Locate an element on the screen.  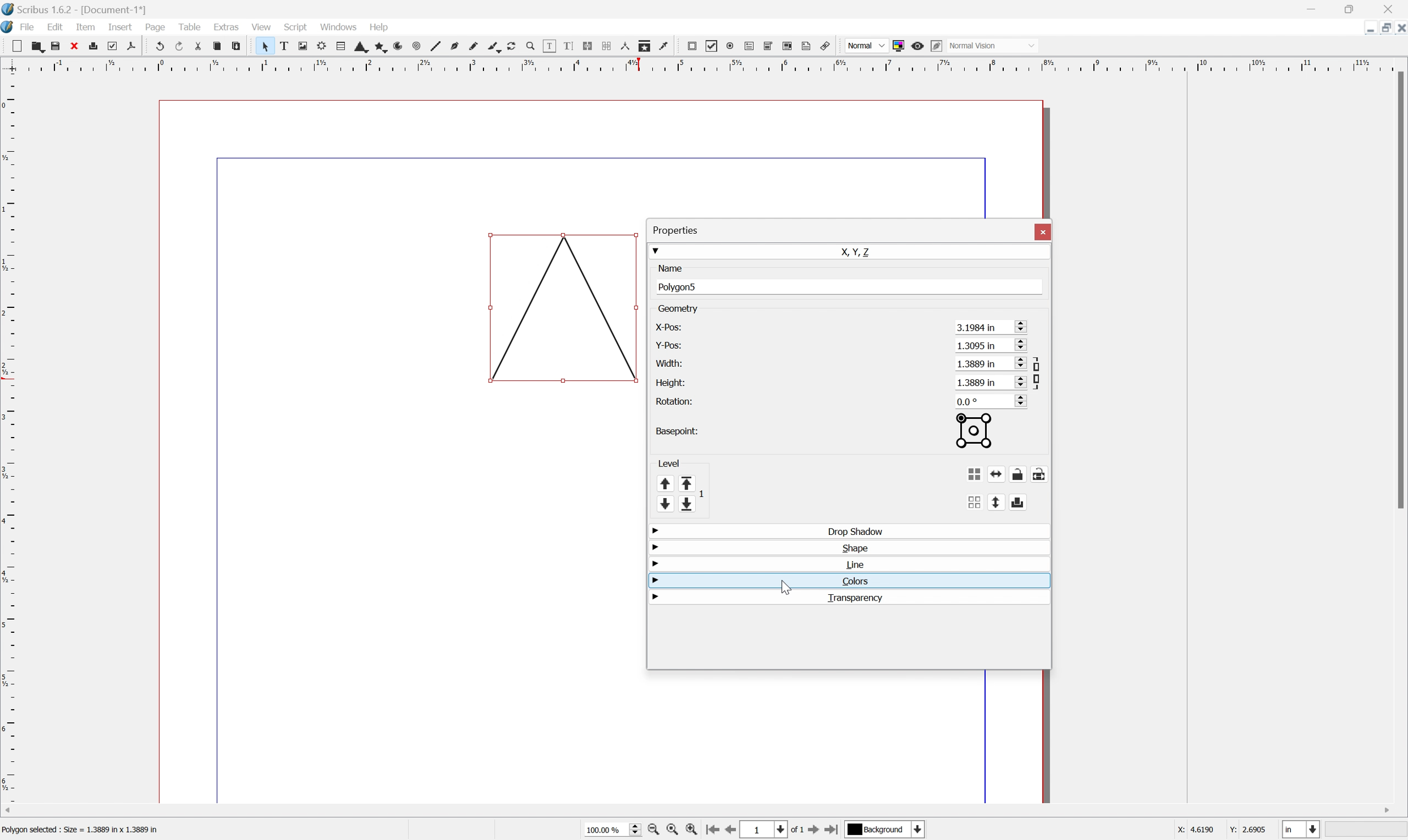
Edit text with story editor is located at coordinates (564, 47).